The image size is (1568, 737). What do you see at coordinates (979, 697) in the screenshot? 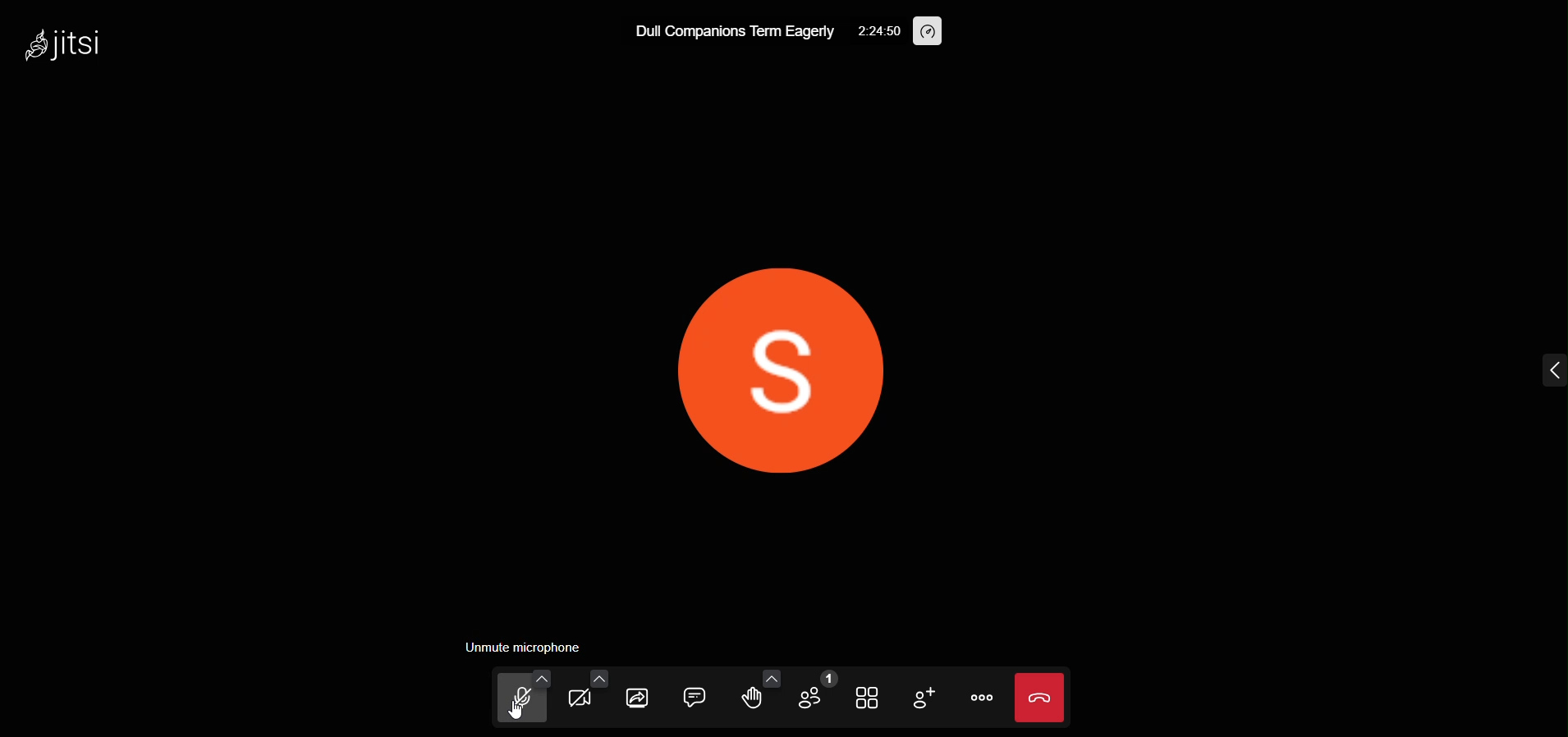
I see `more` at bounding box center [979, 697].